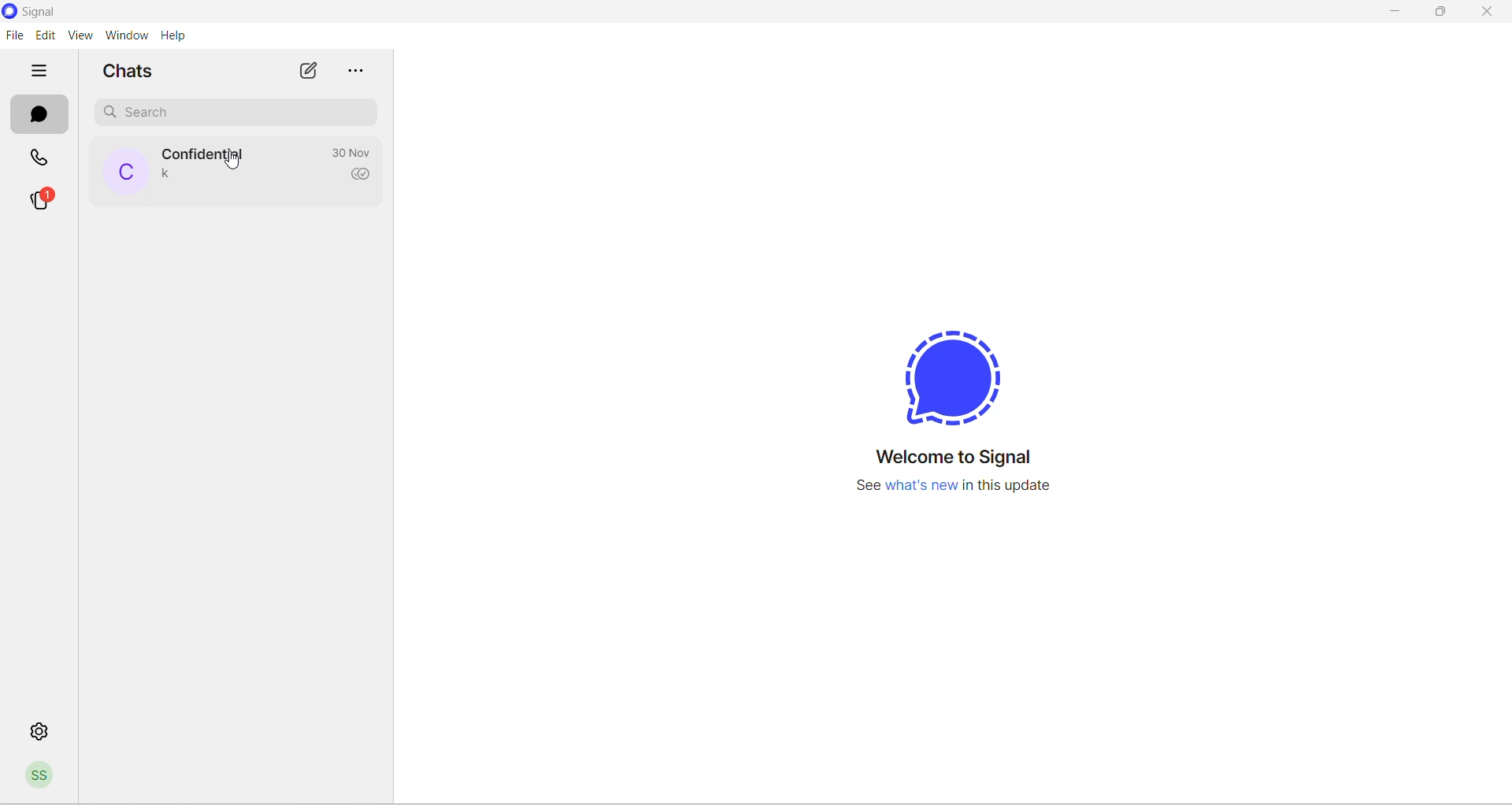 This screenshot has width=1512, height=805. What do you see at coordinates (124, 170) in the screenshot?
I see `profile picture` at bounding box center [124, 170].